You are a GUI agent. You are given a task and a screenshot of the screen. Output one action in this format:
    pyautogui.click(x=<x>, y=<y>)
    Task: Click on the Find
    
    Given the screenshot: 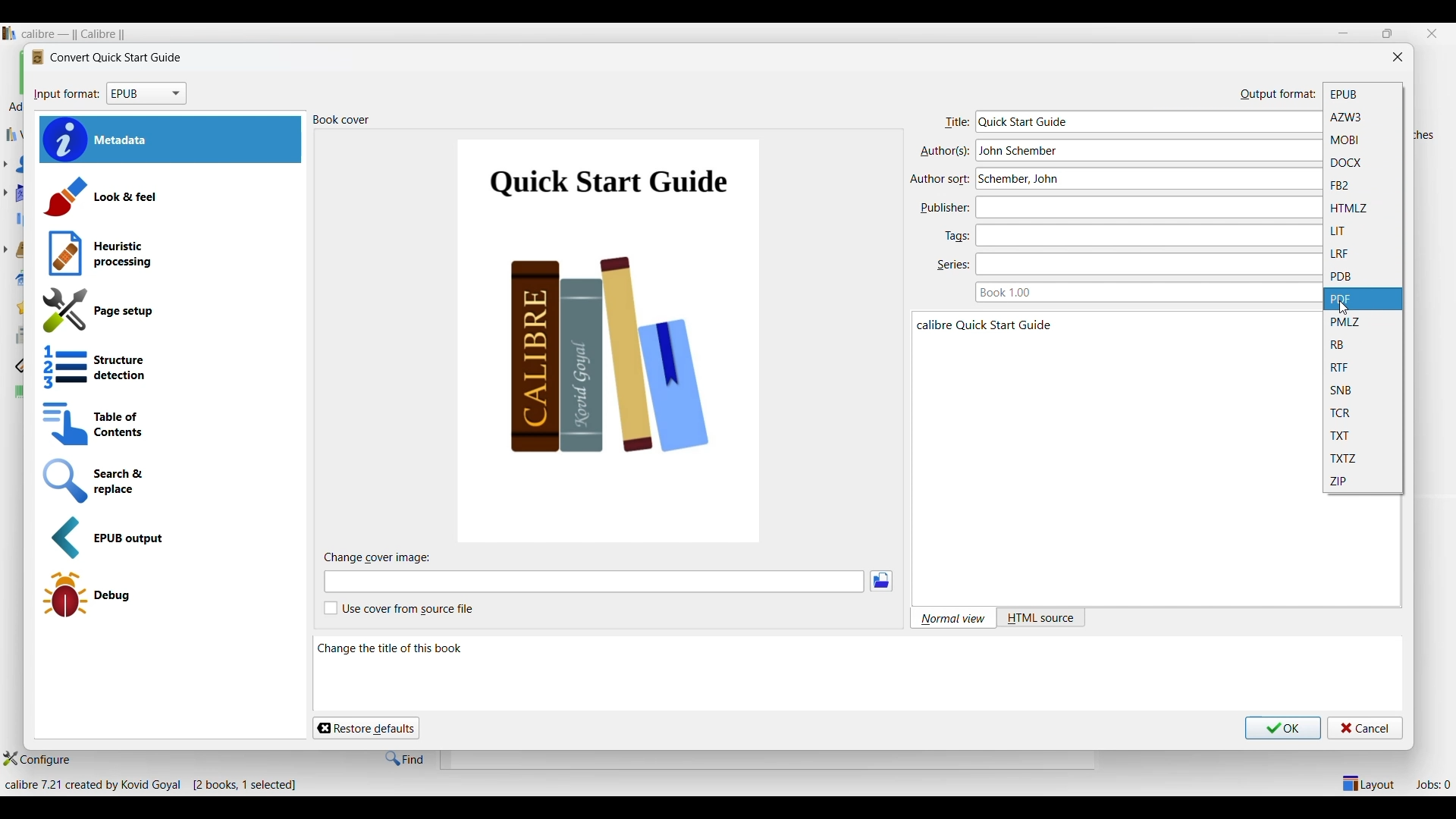 What is the action you would take?
    pyautogui.click(x=404, y=759)
    